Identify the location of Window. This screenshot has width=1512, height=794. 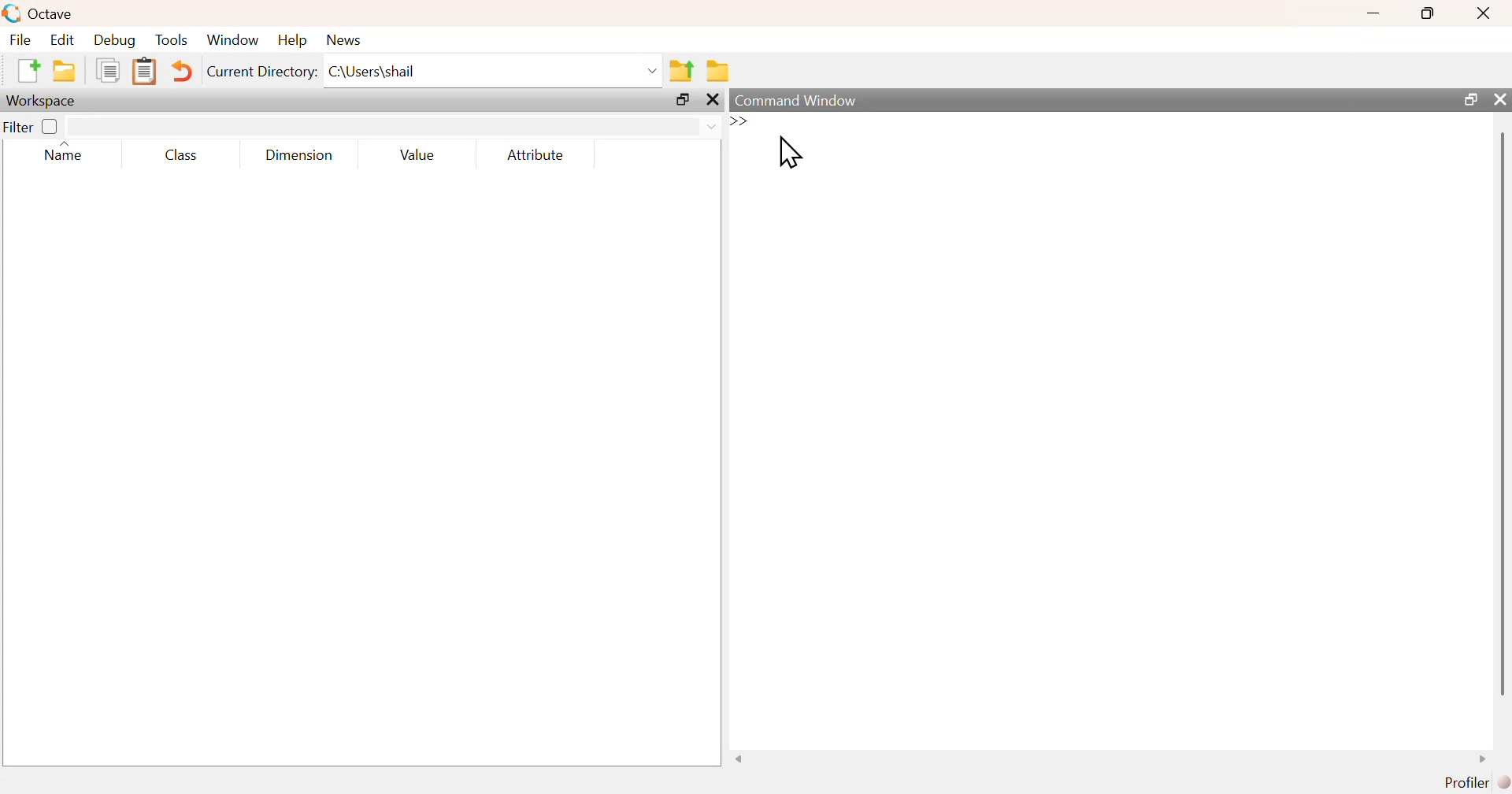
(232, 39).